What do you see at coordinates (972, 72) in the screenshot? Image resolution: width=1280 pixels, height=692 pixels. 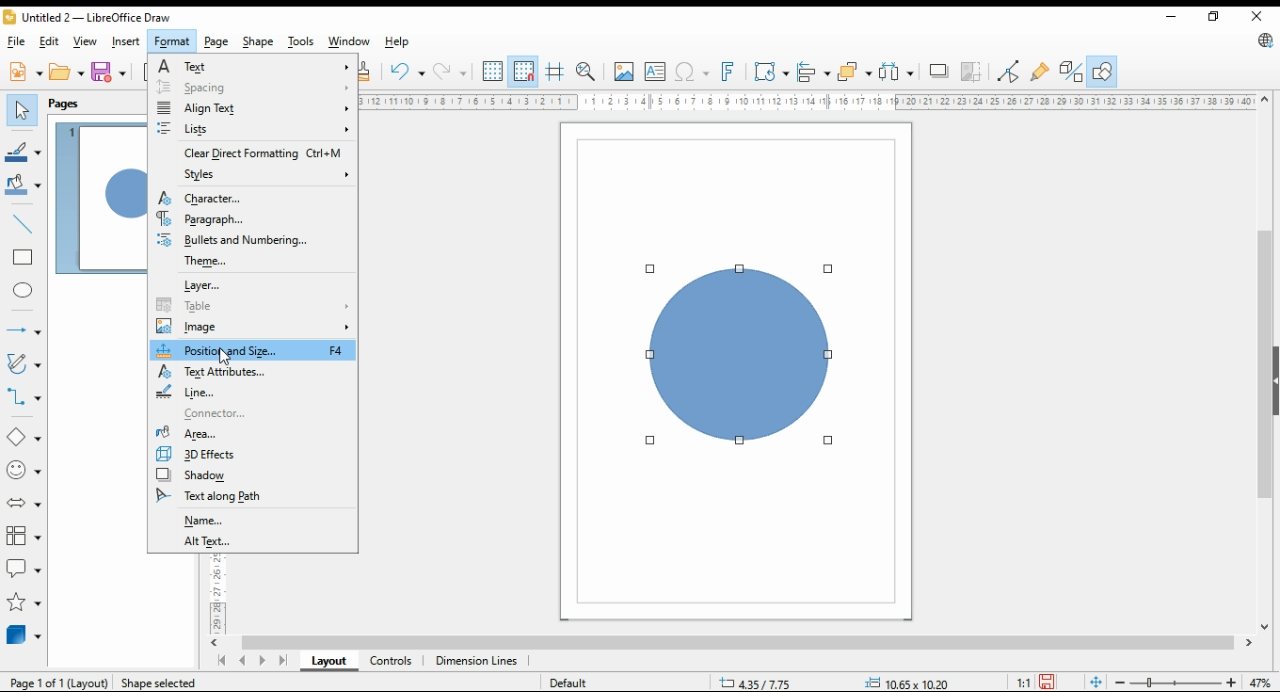 I see `crop` at bounding box center [972, 72].